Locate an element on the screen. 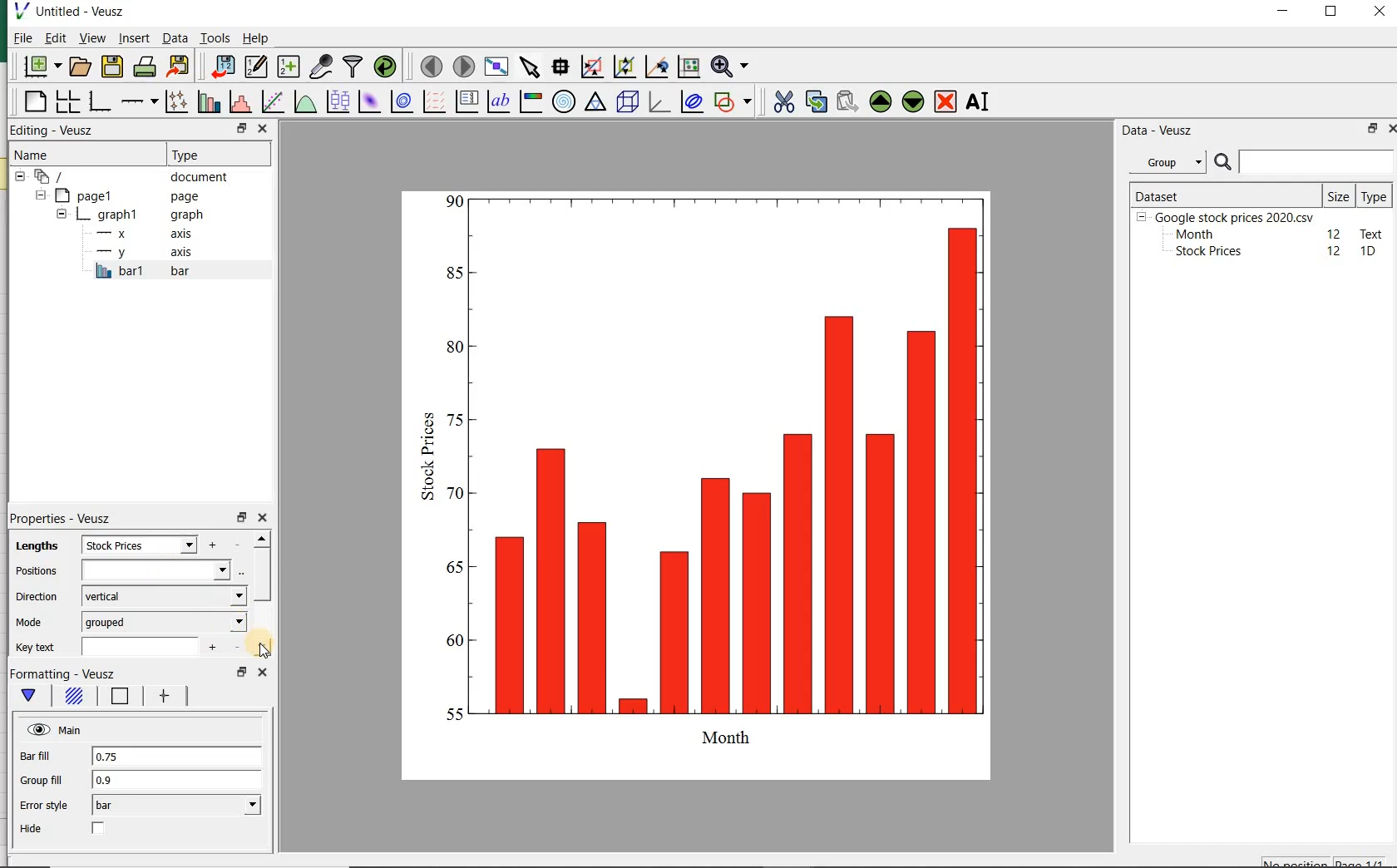  move to the next page is located at coordinates (464, 67).